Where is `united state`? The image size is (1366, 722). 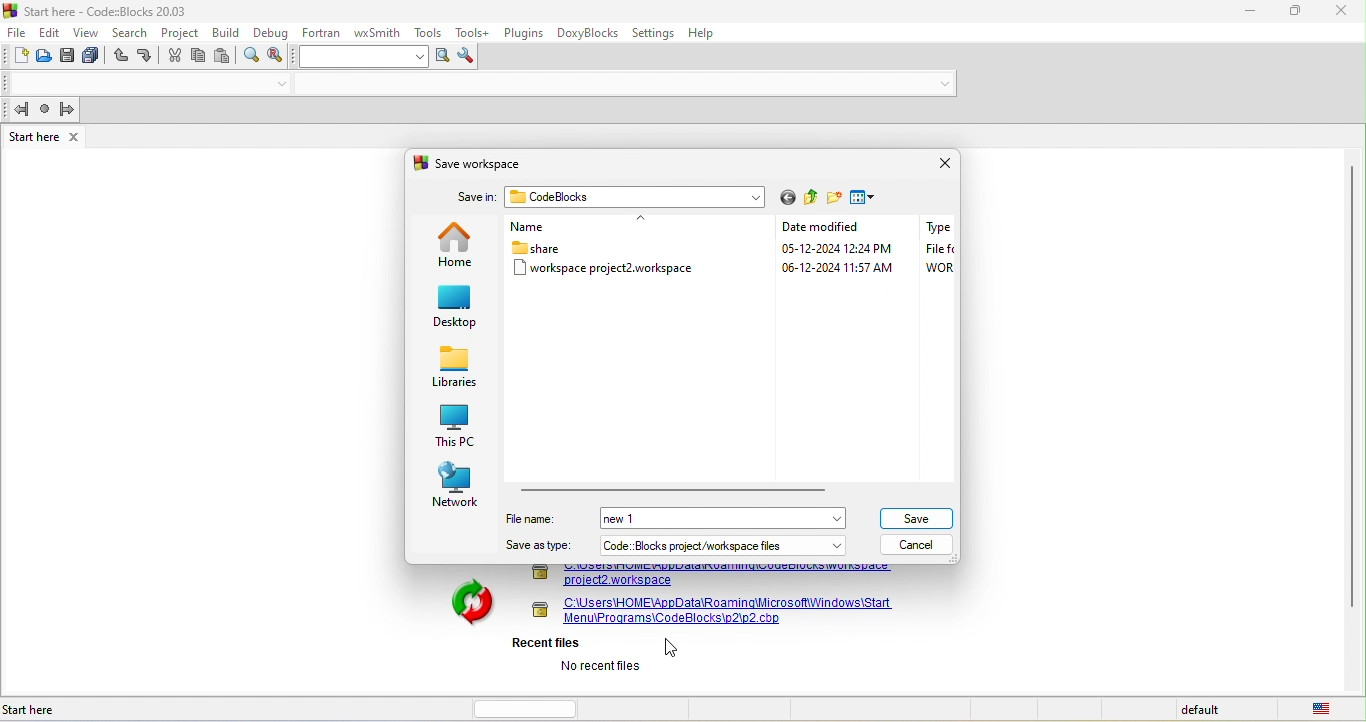
united state is located at coordinates (1325, 709).